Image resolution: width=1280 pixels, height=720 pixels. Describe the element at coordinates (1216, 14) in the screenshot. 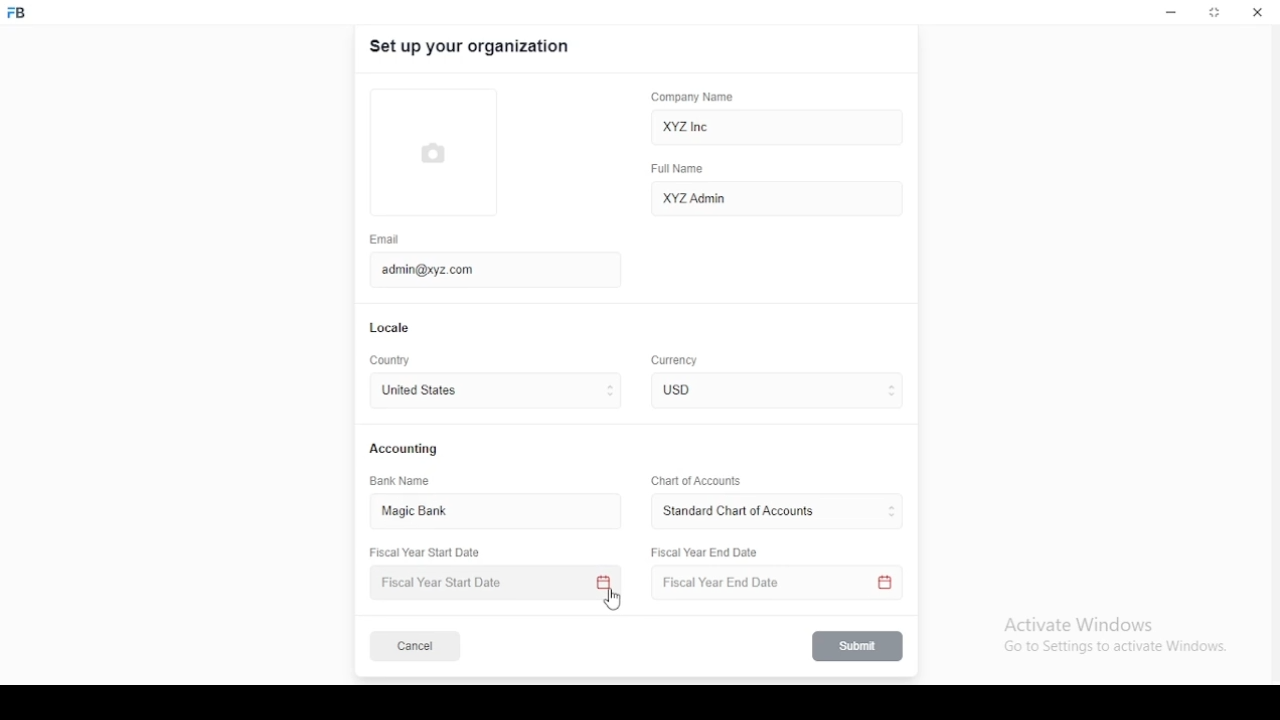

I see `restore` at that location.